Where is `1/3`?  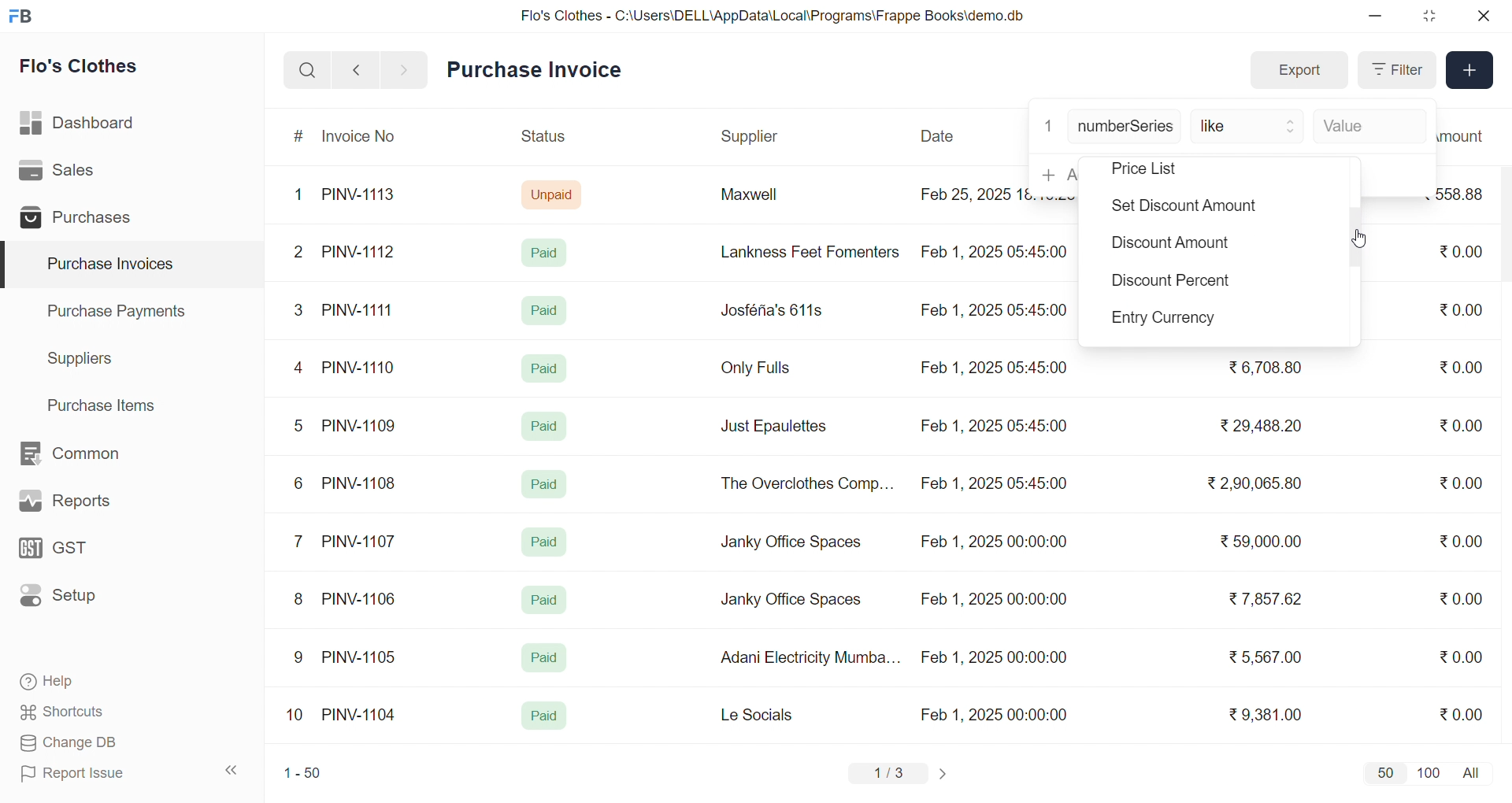 1/3 is located at coordinates (889, 775).